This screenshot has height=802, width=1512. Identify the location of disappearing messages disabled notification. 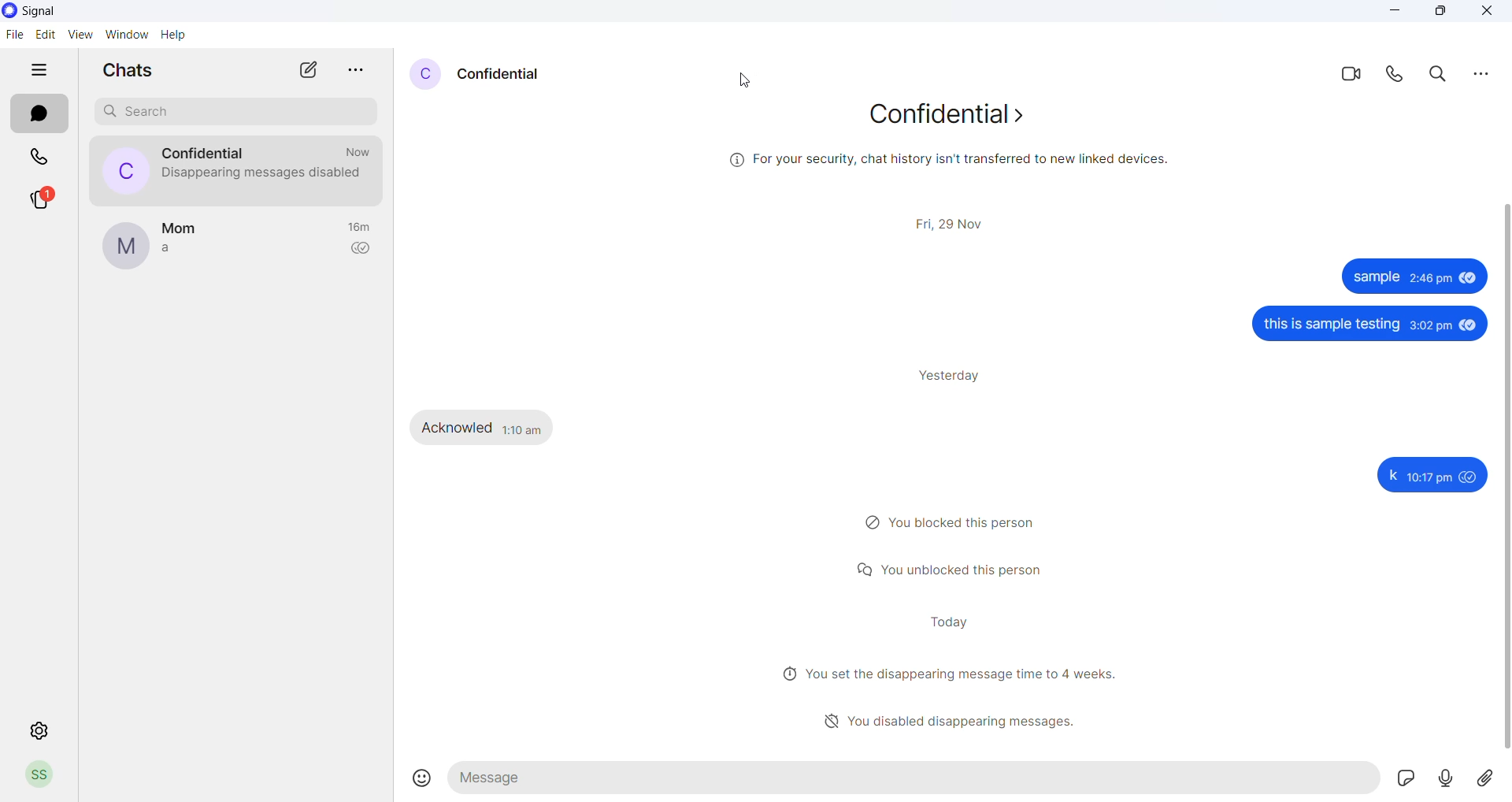
(271, 174).